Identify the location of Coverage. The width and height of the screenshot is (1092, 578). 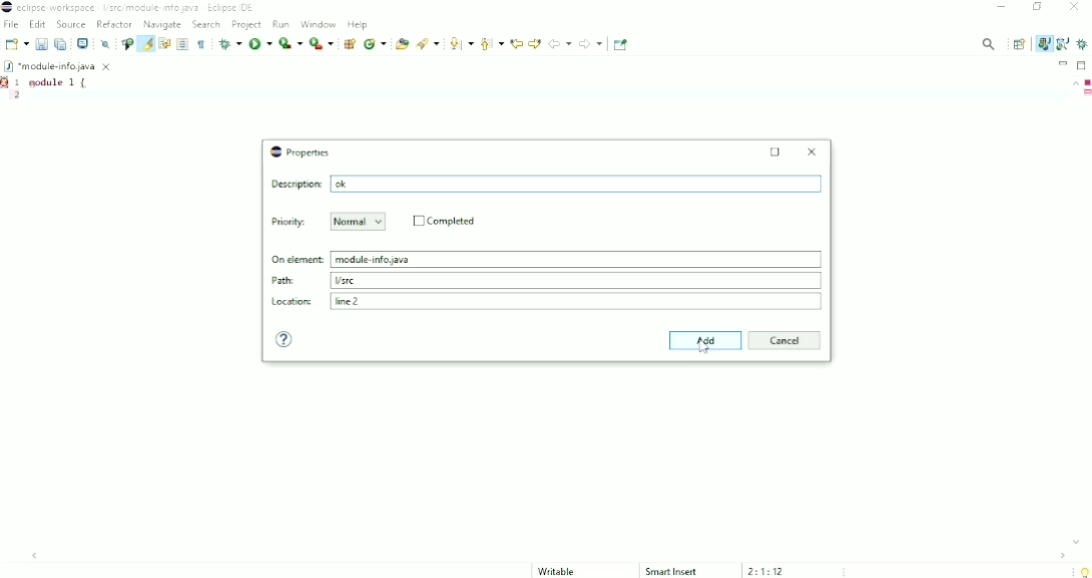
(290, 43).